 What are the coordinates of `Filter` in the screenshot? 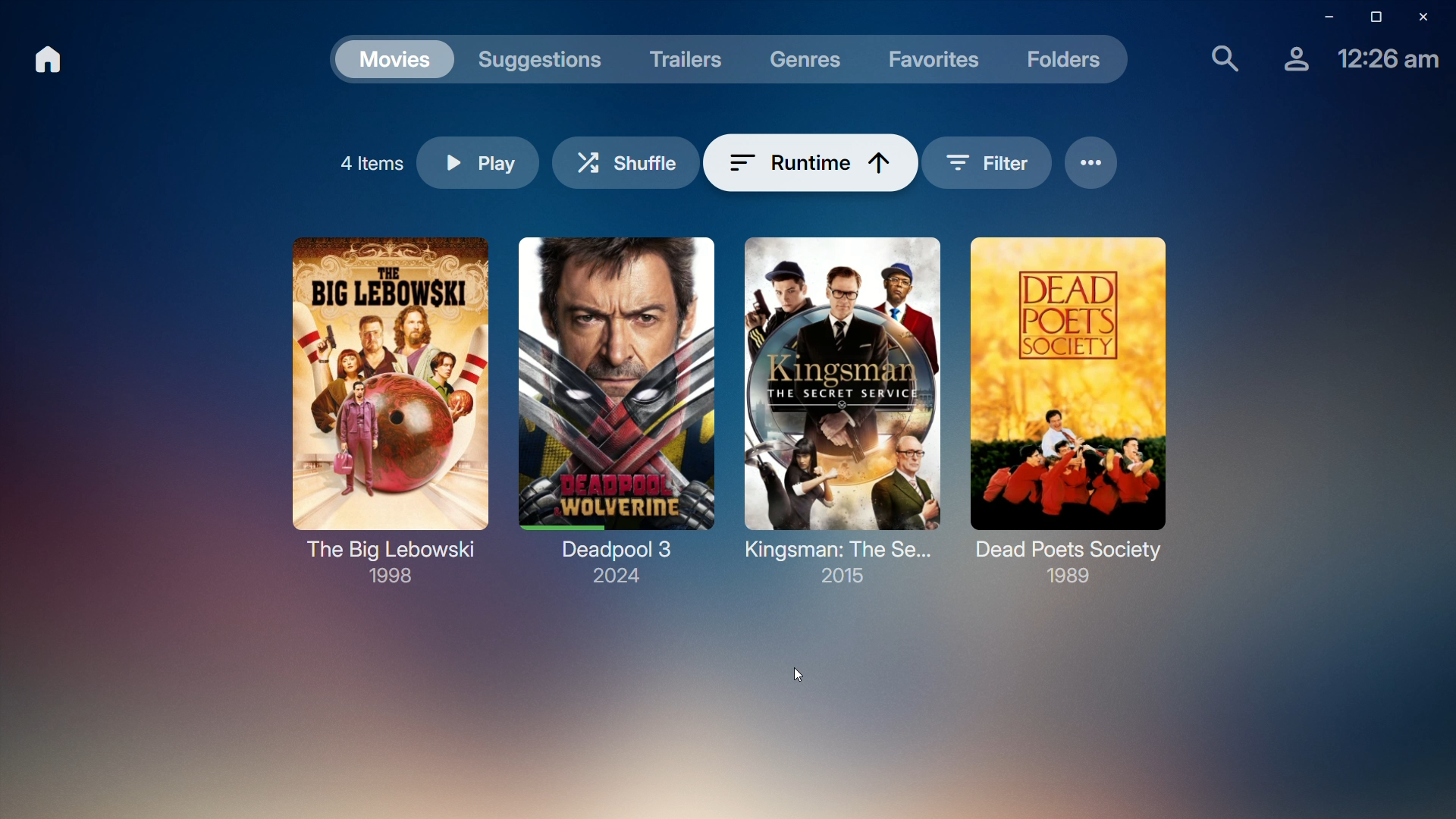 It's located at (969, 162).